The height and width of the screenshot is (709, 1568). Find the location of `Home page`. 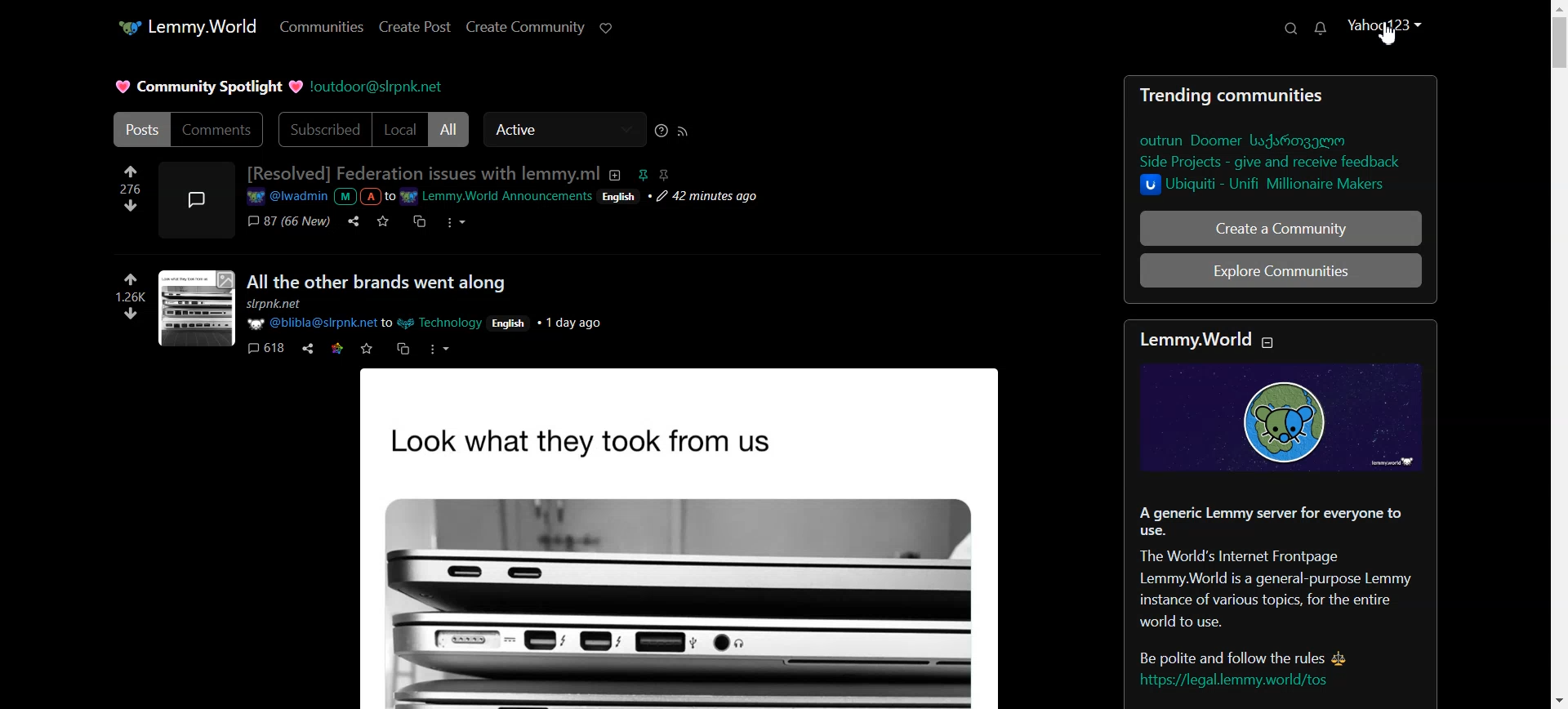

Home page is located at coordinates (187, 27).